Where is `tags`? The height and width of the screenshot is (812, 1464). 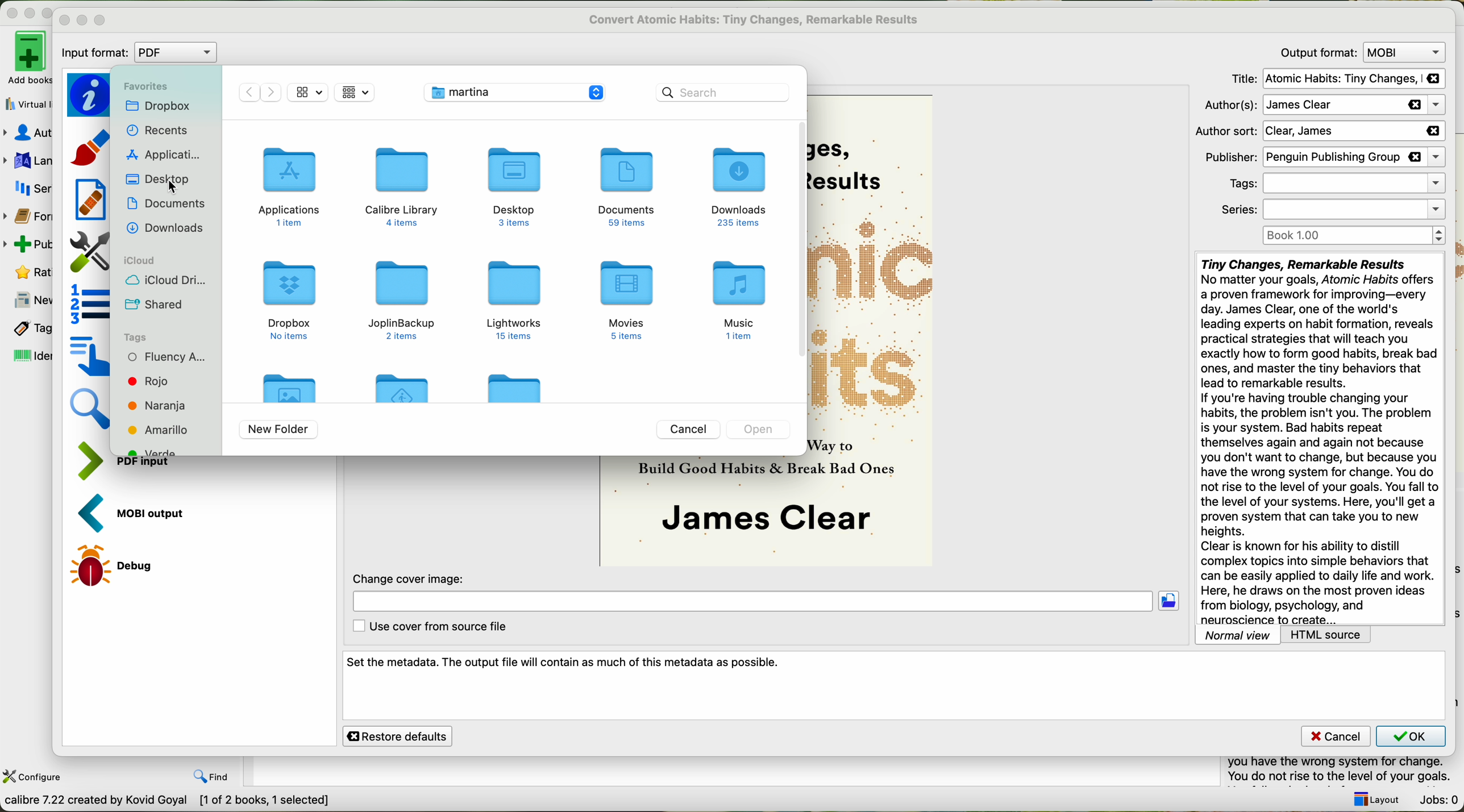
tags is located at coordinates (139, 337).